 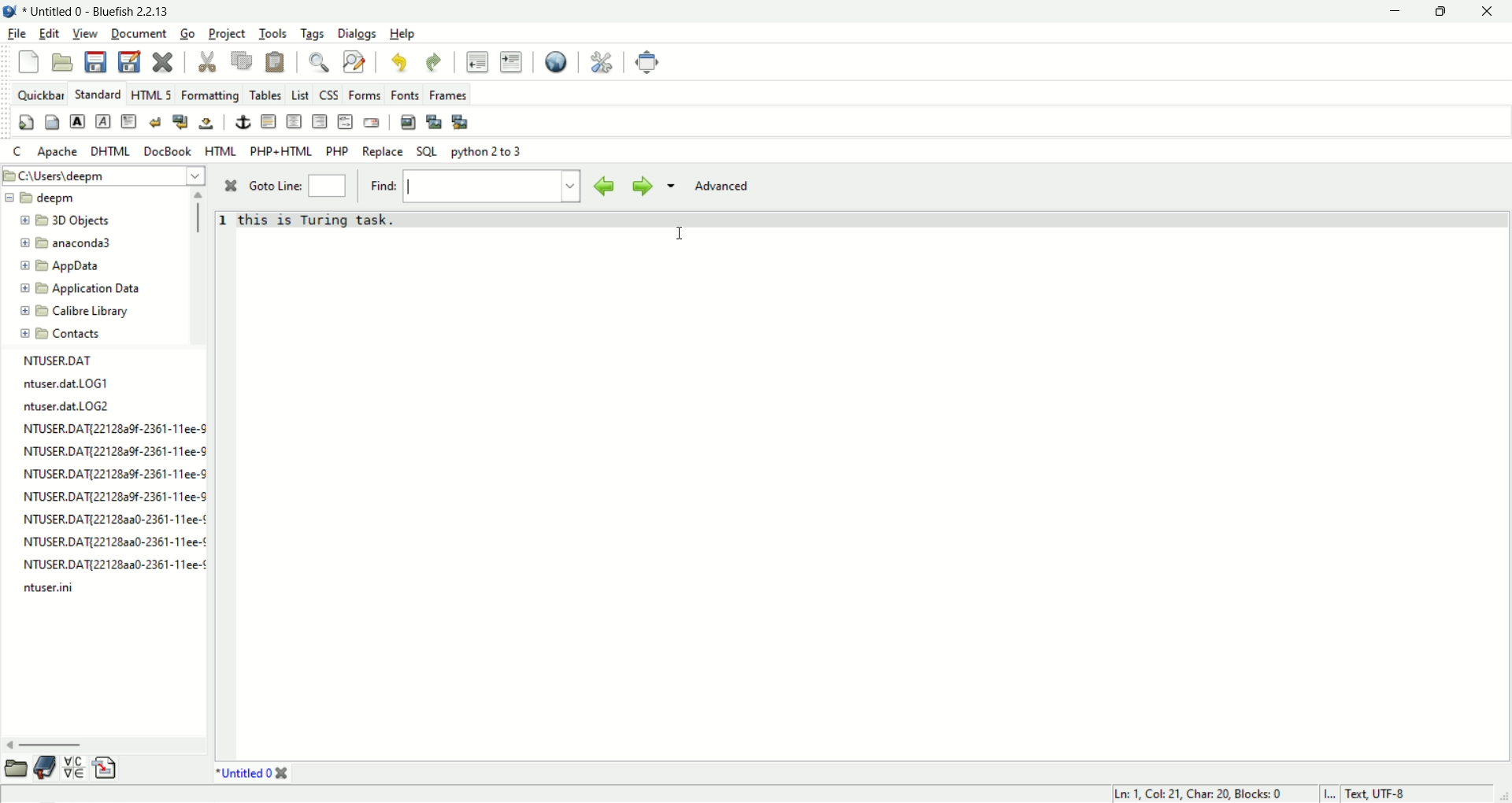 I want to click on file, so click(x=15, y=35).